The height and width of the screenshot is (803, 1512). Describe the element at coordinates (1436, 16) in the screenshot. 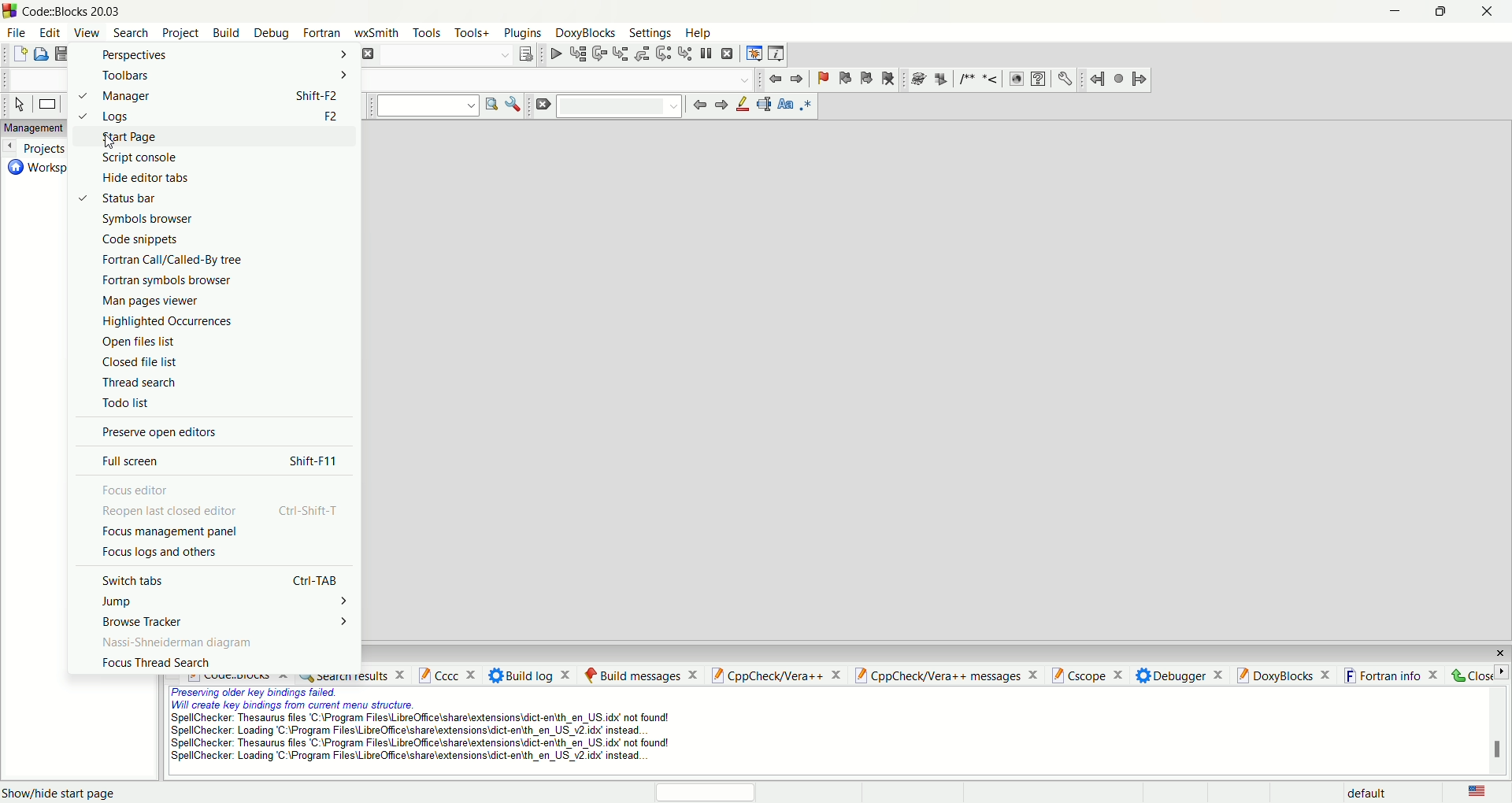

I see `maximize` at that location.